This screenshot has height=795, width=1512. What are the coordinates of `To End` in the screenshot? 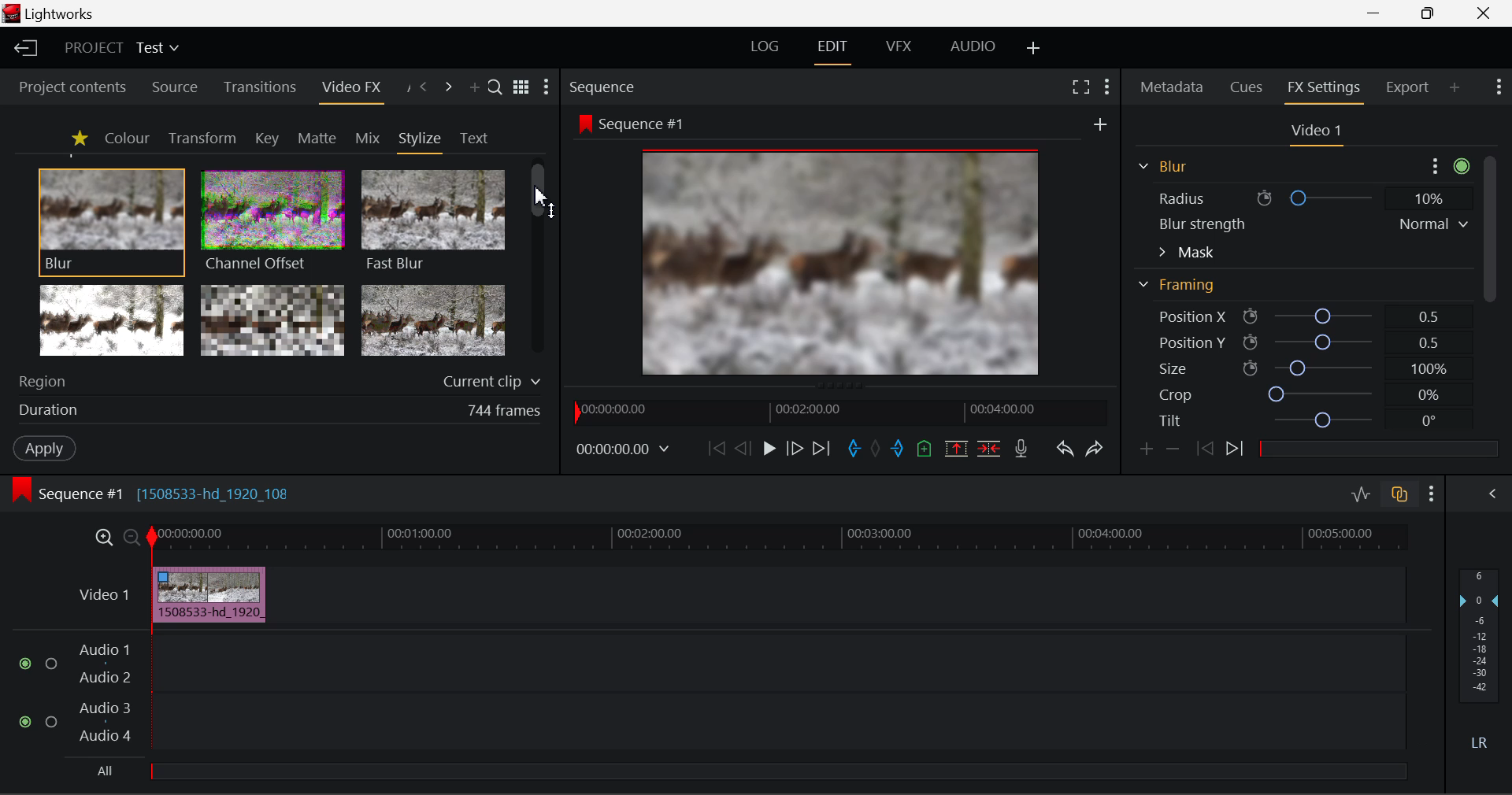 It's located at (823, 446).